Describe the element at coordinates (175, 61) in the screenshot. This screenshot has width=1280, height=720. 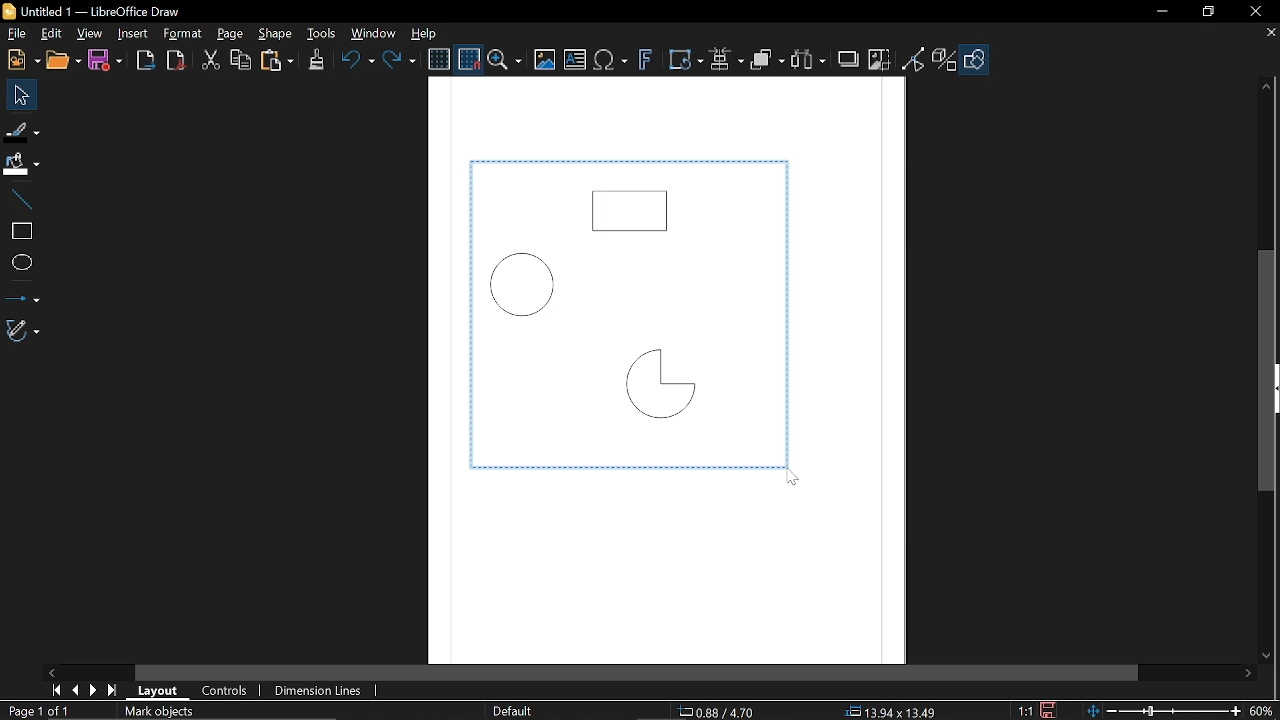
I see `Export as pdf` at that location.